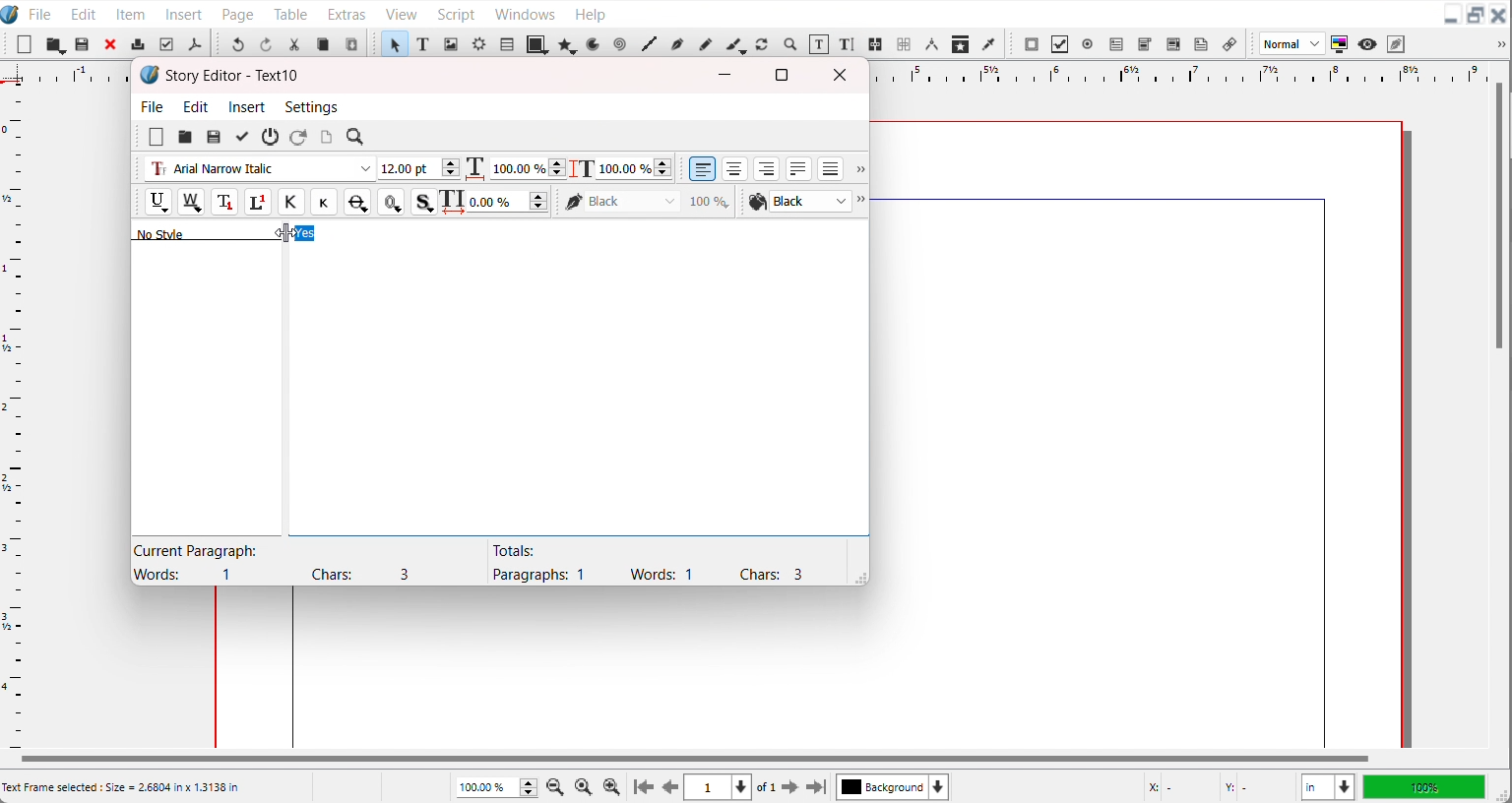 Image resolution: width=1512 pixels, height=803 pixels. What do you see at coordinates (391, 202) in the screenshot?
I see `Outline` at bounding box center [391, 202].